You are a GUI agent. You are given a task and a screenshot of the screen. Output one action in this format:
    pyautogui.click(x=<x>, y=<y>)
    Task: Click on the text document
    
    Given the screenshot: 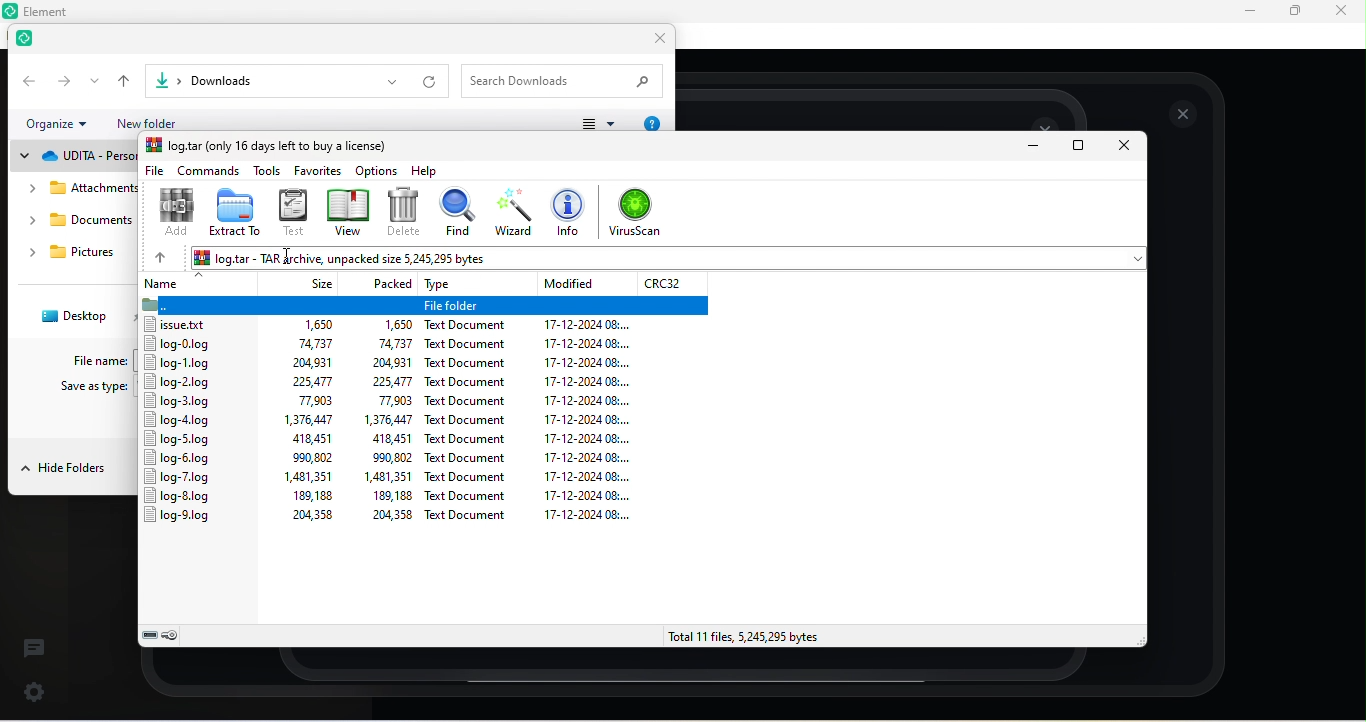 What is the action you would take?
    pyautogui.click(x=467, y=477)
    